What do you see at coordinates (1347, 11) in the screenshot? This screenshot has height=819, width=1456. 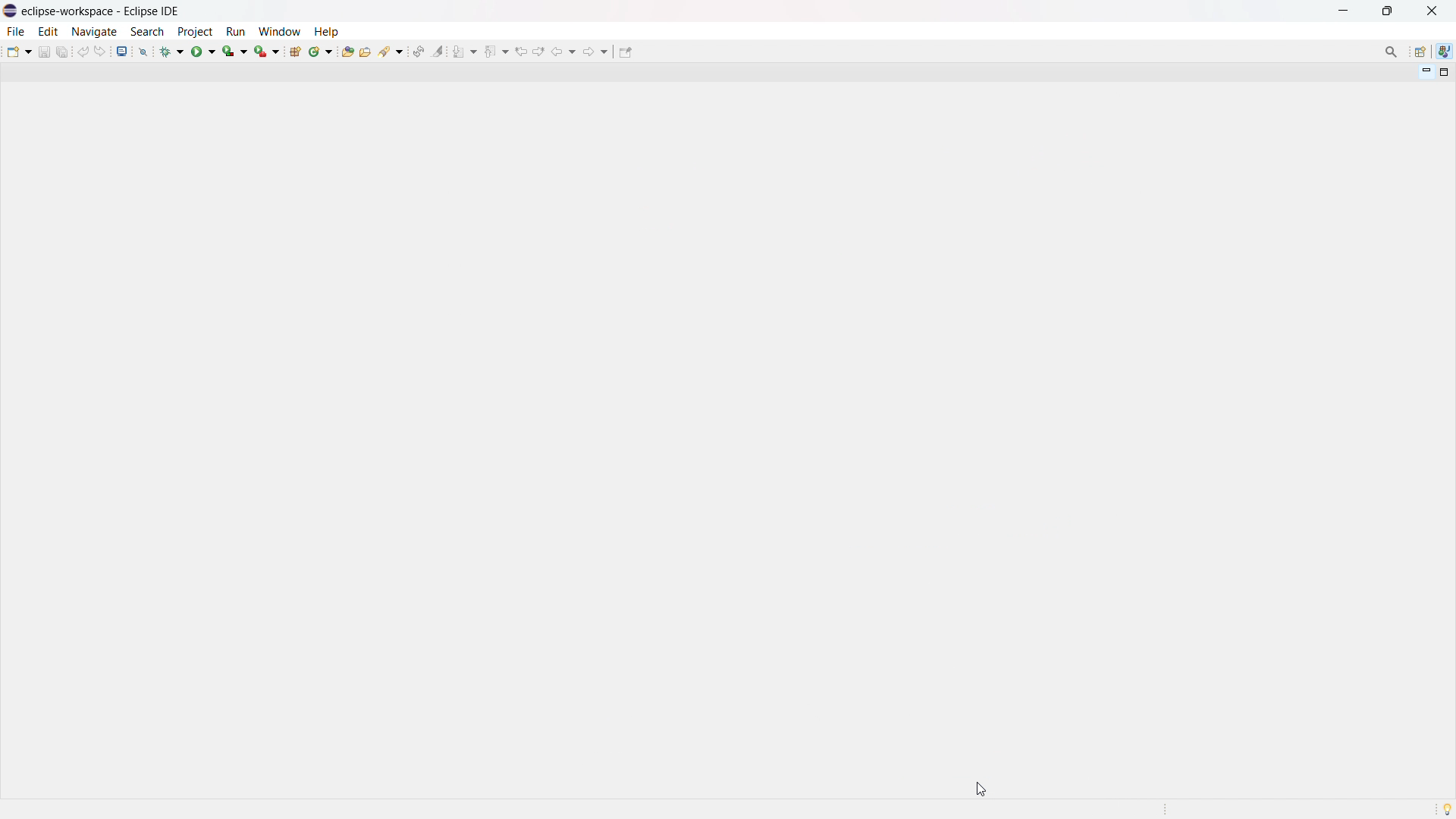 I see `minimize` at bounding box center [1347, 11].